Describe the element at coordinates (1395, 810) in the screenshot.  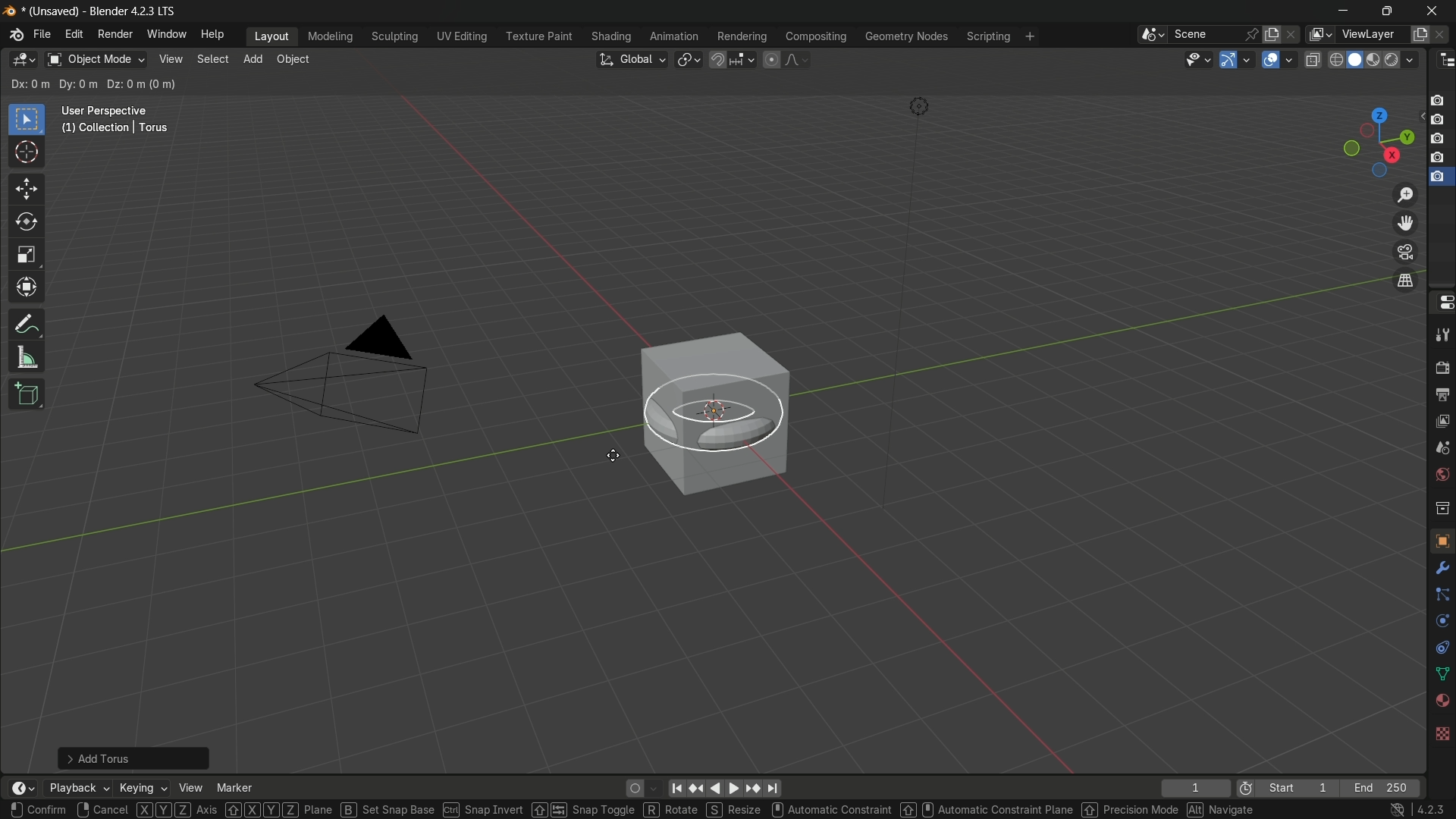
I see `no internet` at that location.